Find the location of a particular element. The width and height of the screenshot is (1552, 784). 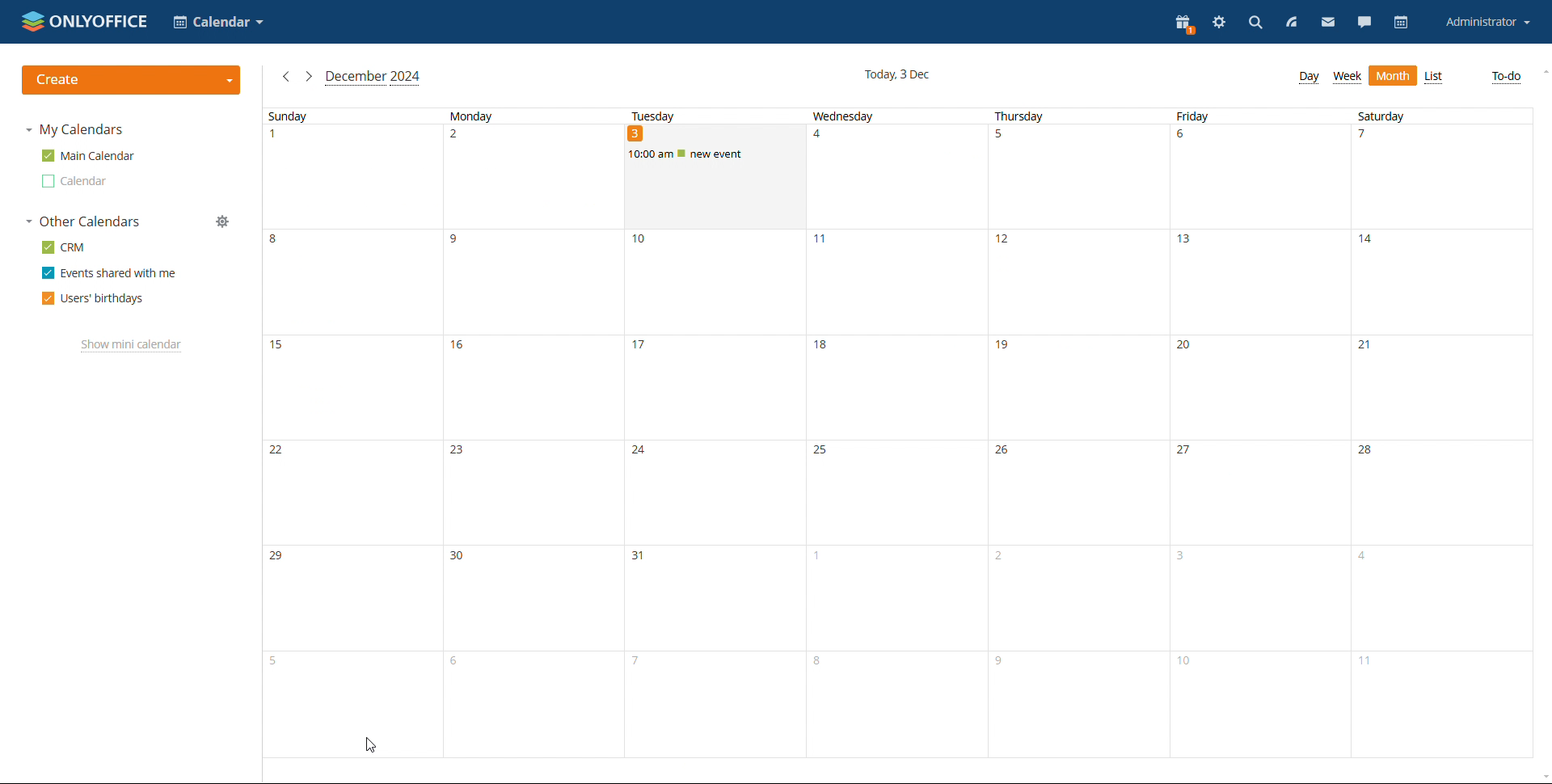

manage is located at coordinates (222, 221).